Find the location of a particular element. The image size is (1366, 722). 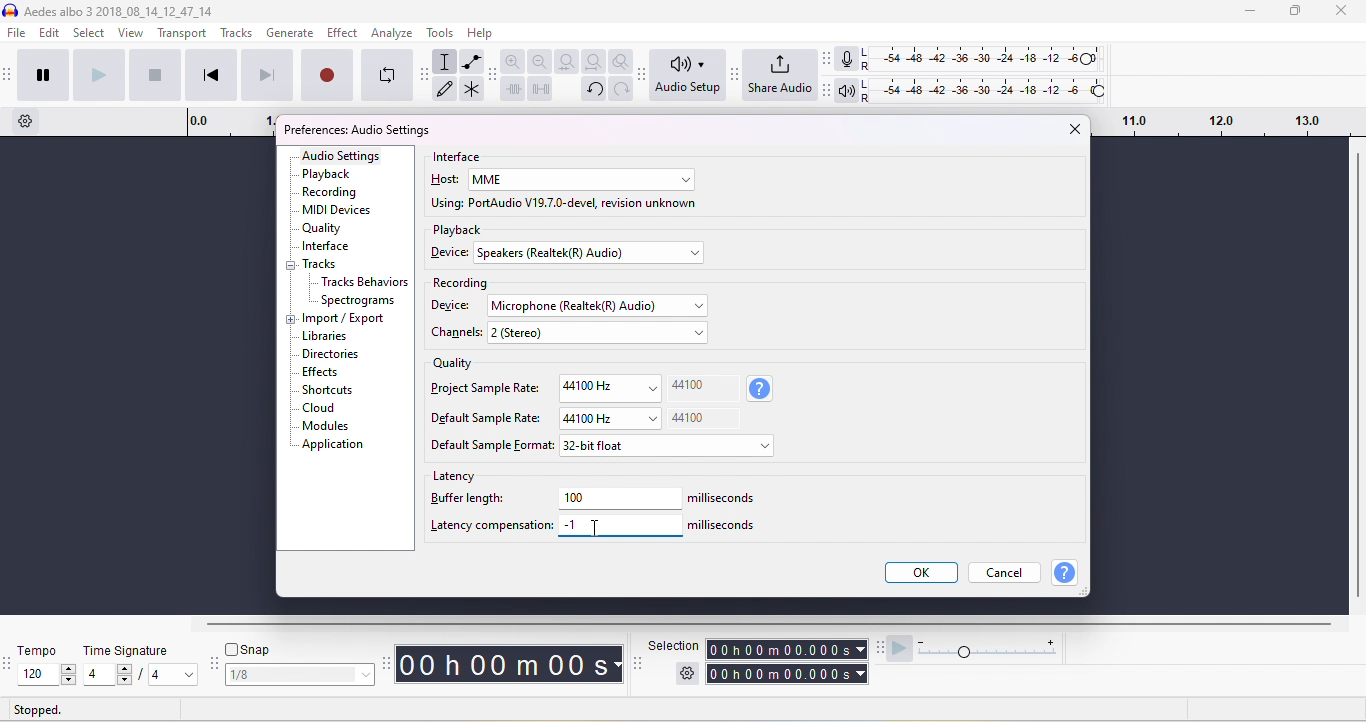

modules is located at coordinates (324, 426).